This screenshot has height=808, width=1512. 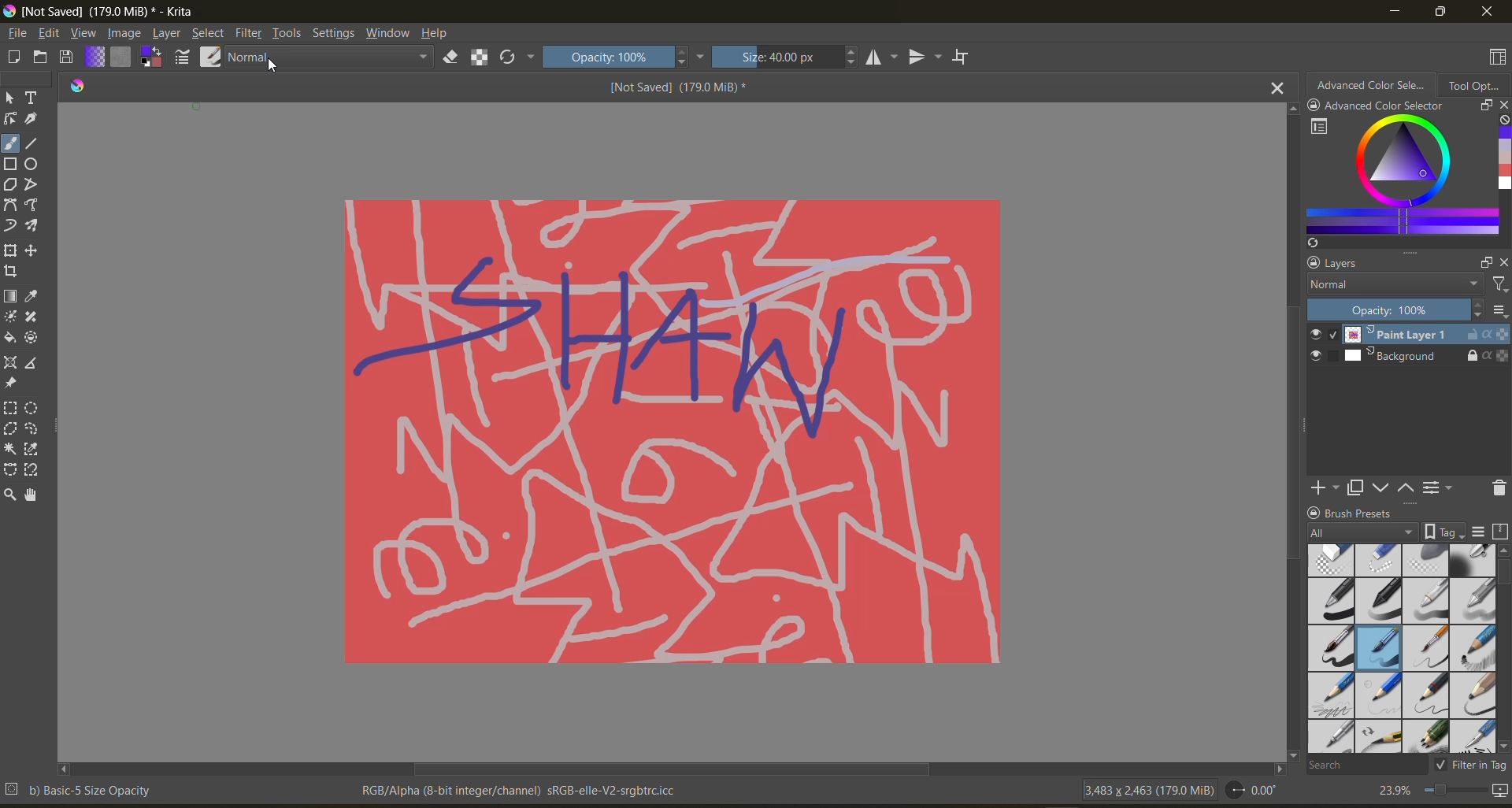 What do you see at coordinates (10, 183) in the screenshot?
I see `polygon tool` at bounding box center [10, 183].